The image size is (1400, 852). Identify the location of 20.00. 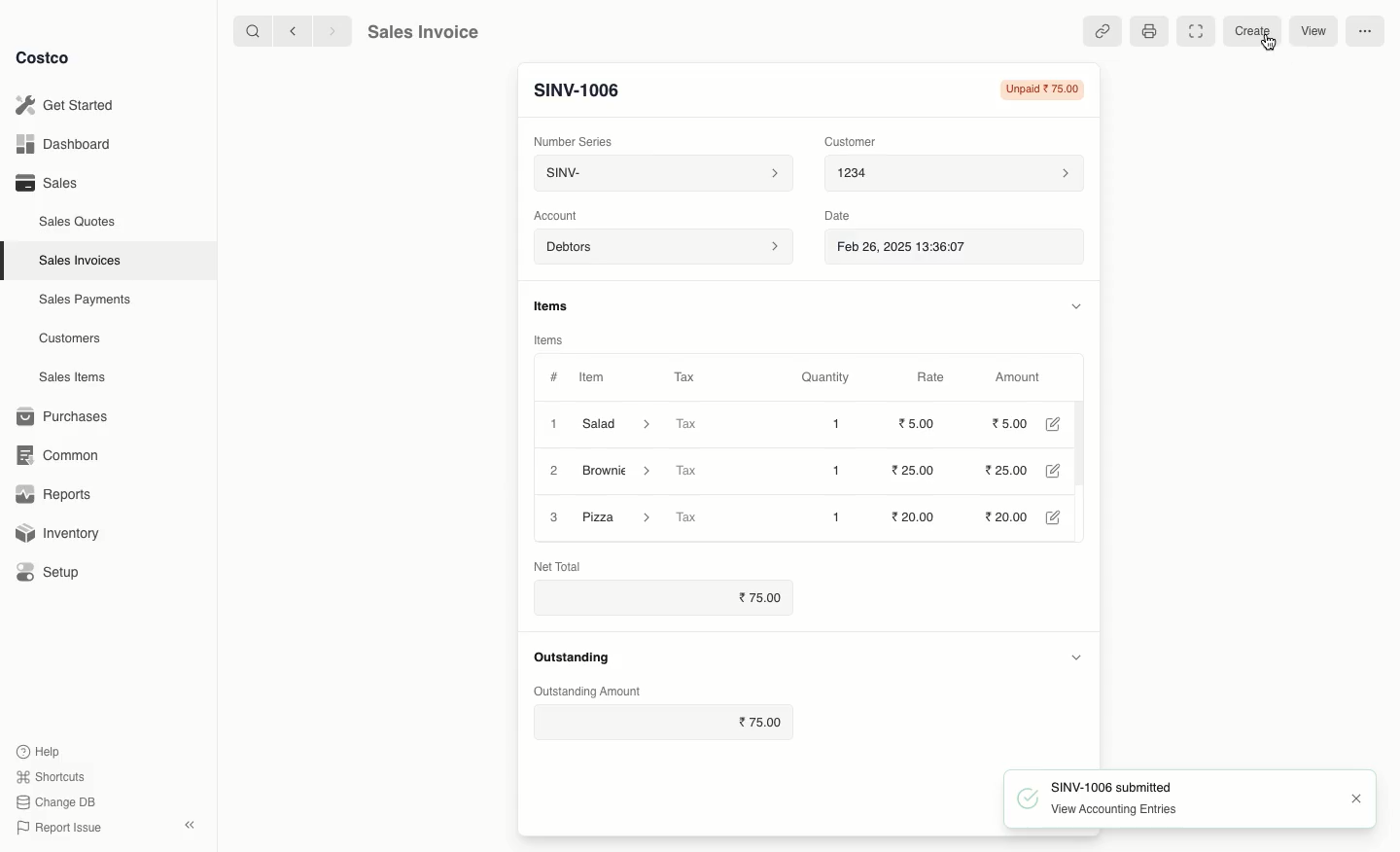
(1000, 424).